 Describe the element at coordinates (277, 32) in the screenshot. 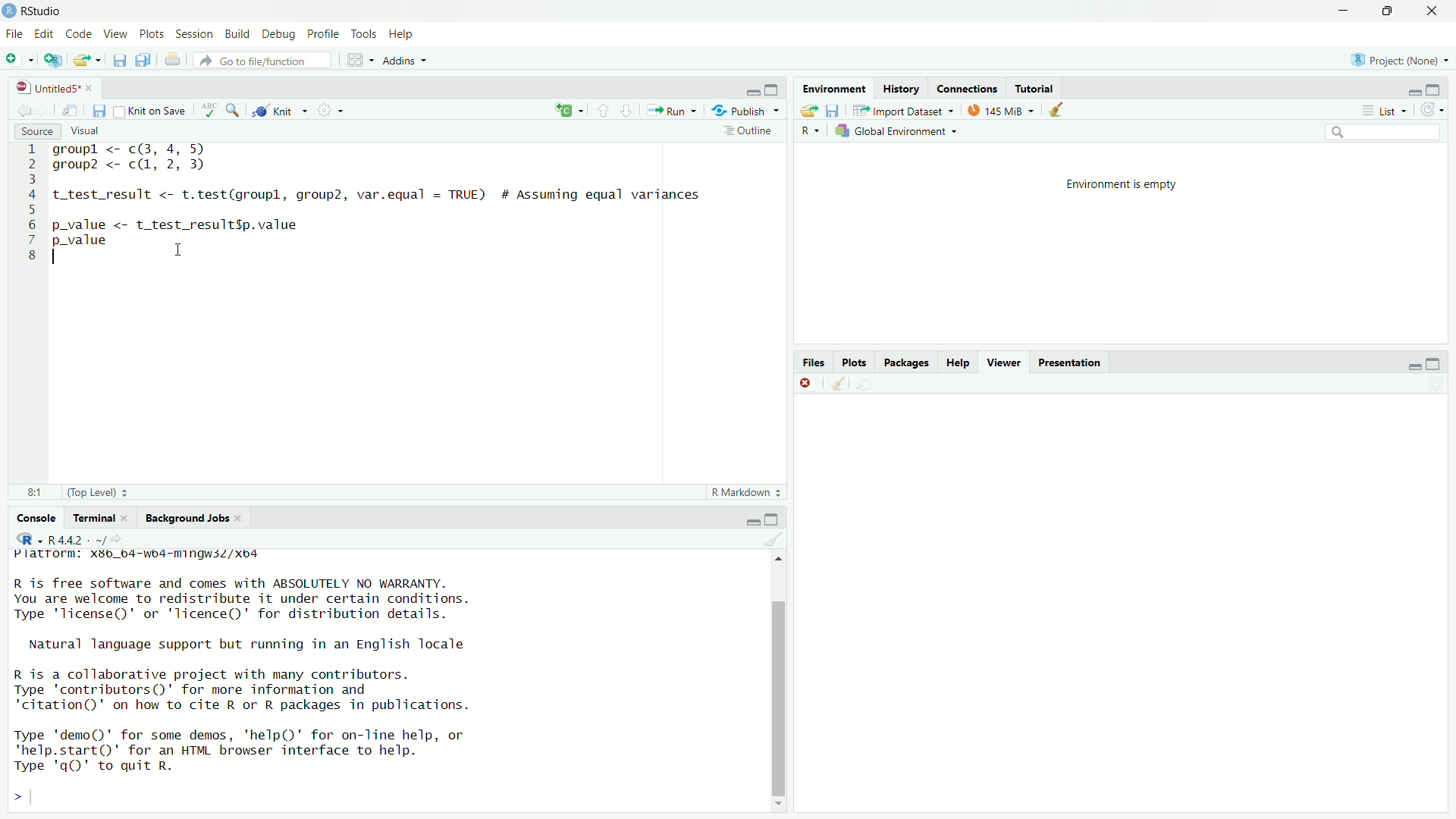

I see `Debug` at that location.